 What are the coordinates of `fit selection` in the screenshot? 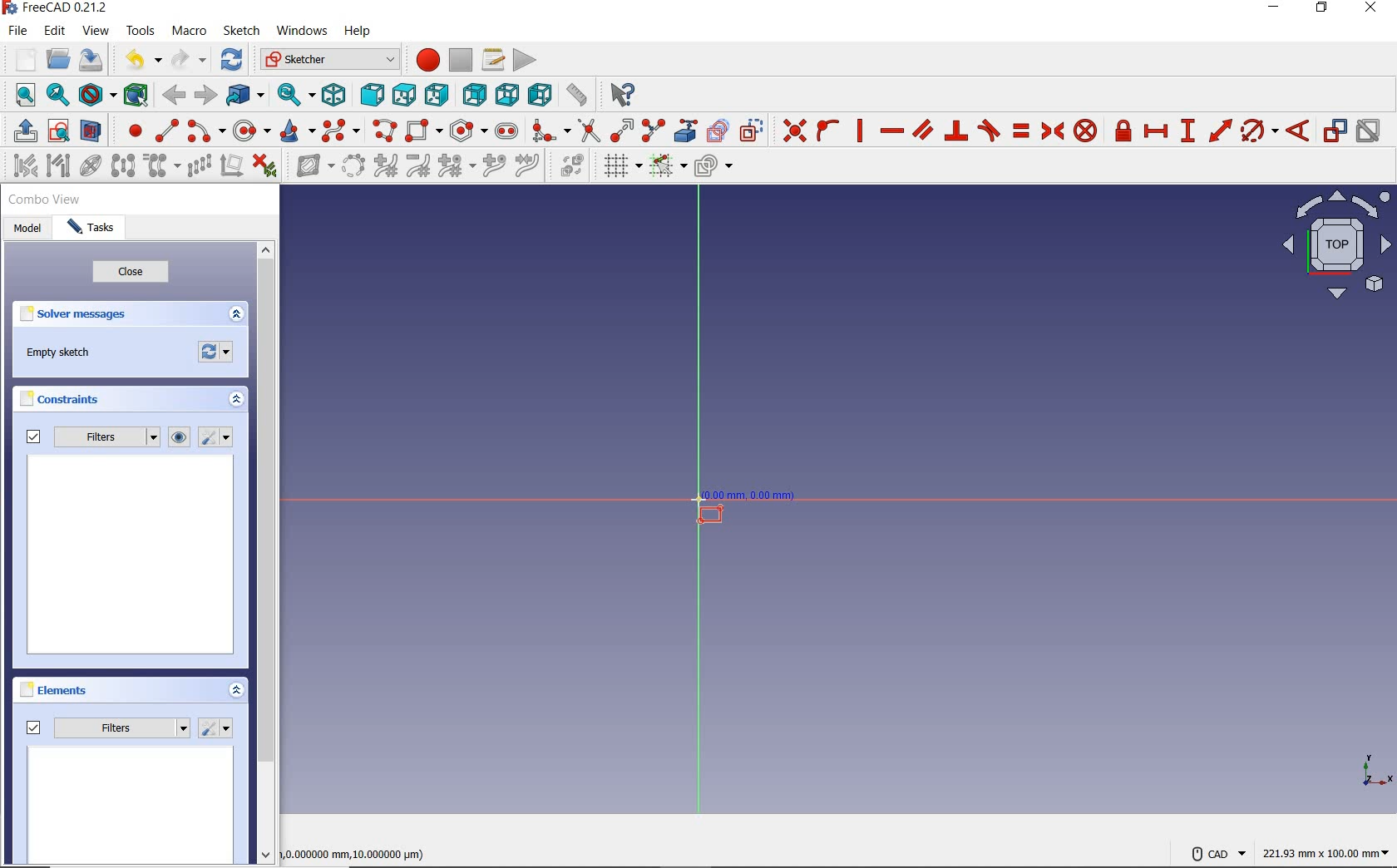 It's located at (57, 96).